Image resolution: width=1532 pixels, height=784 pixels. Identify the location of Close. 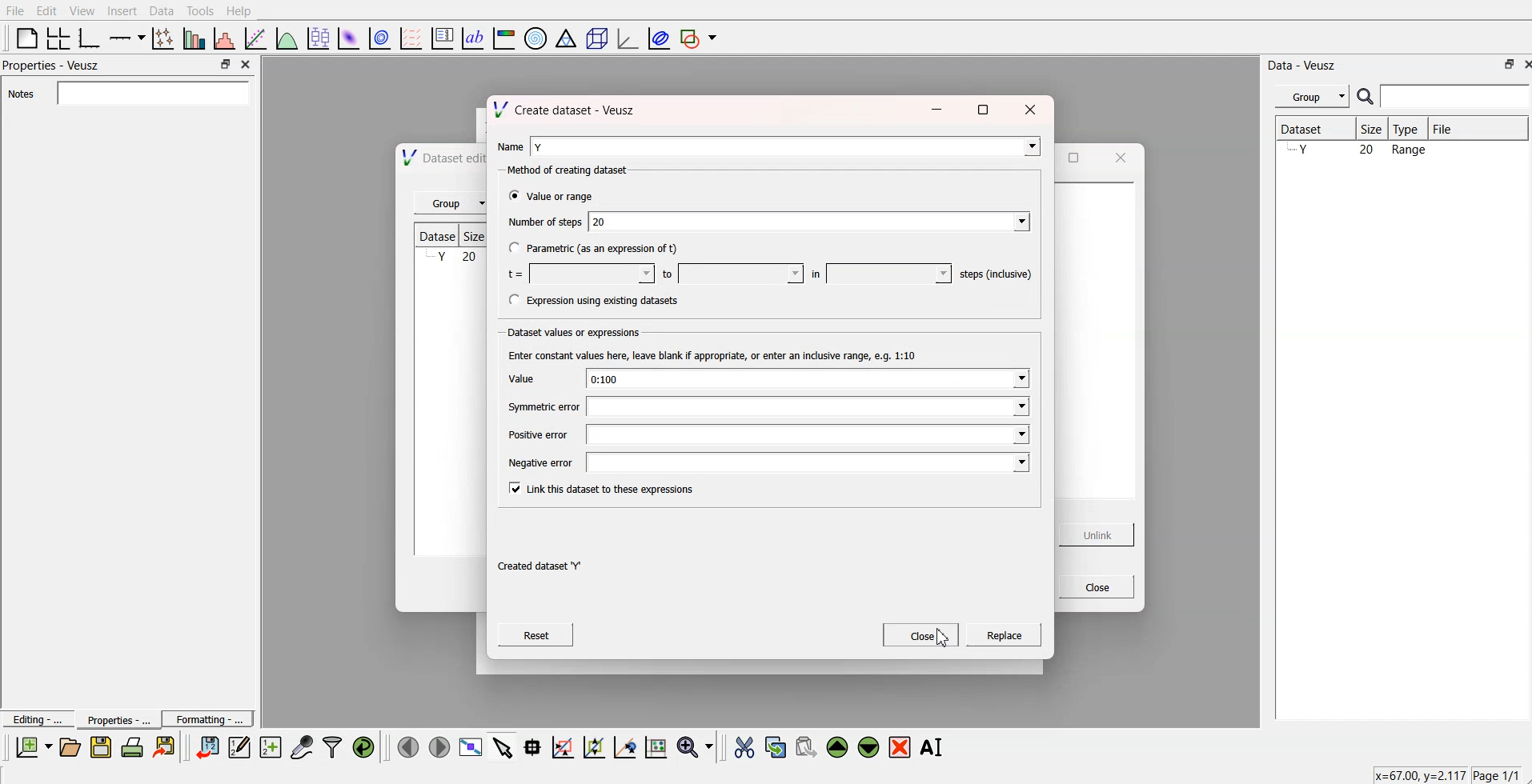
(248, 66).